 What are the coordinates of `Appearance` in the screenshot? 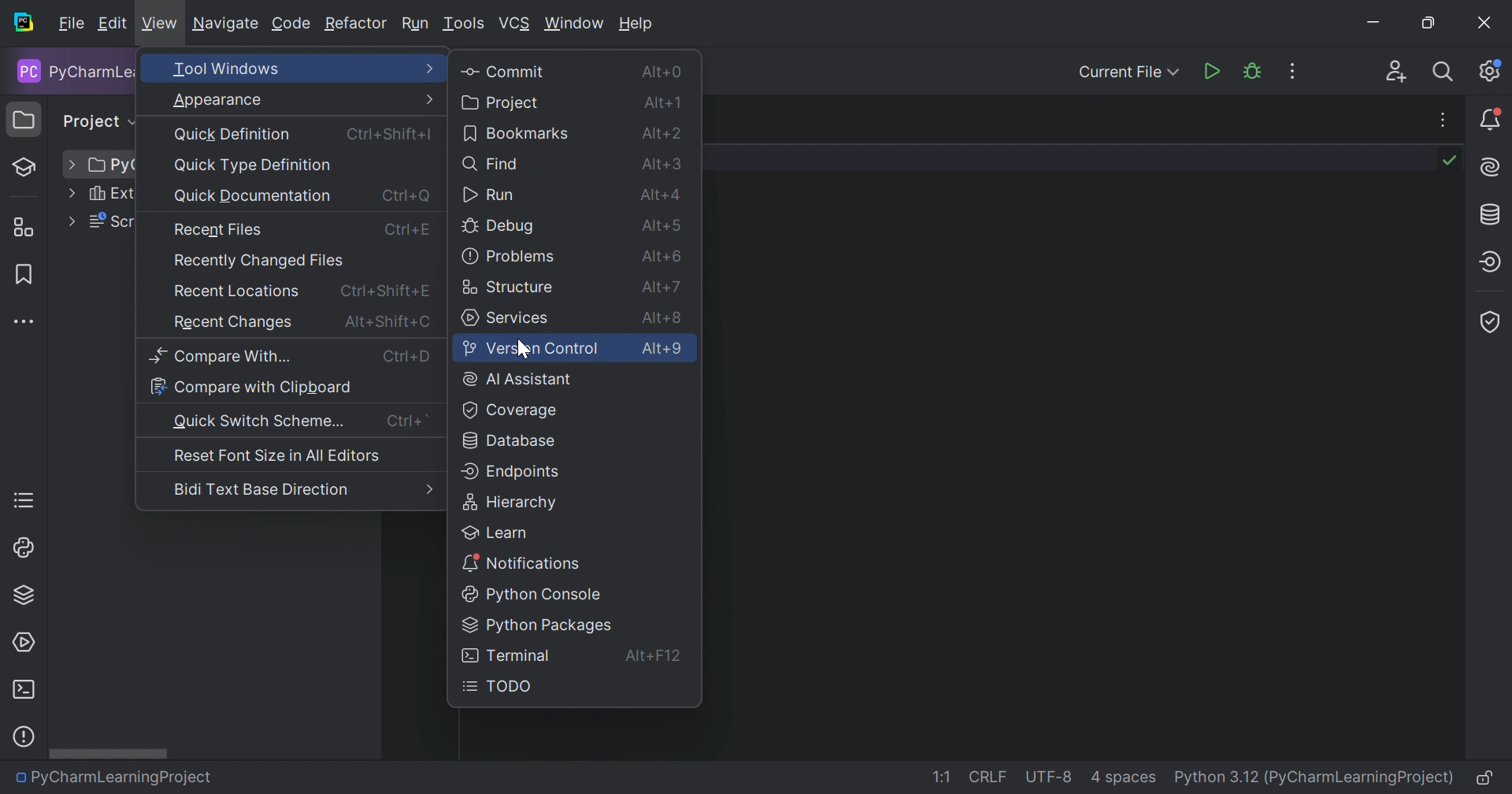 It's located at (304, 98).